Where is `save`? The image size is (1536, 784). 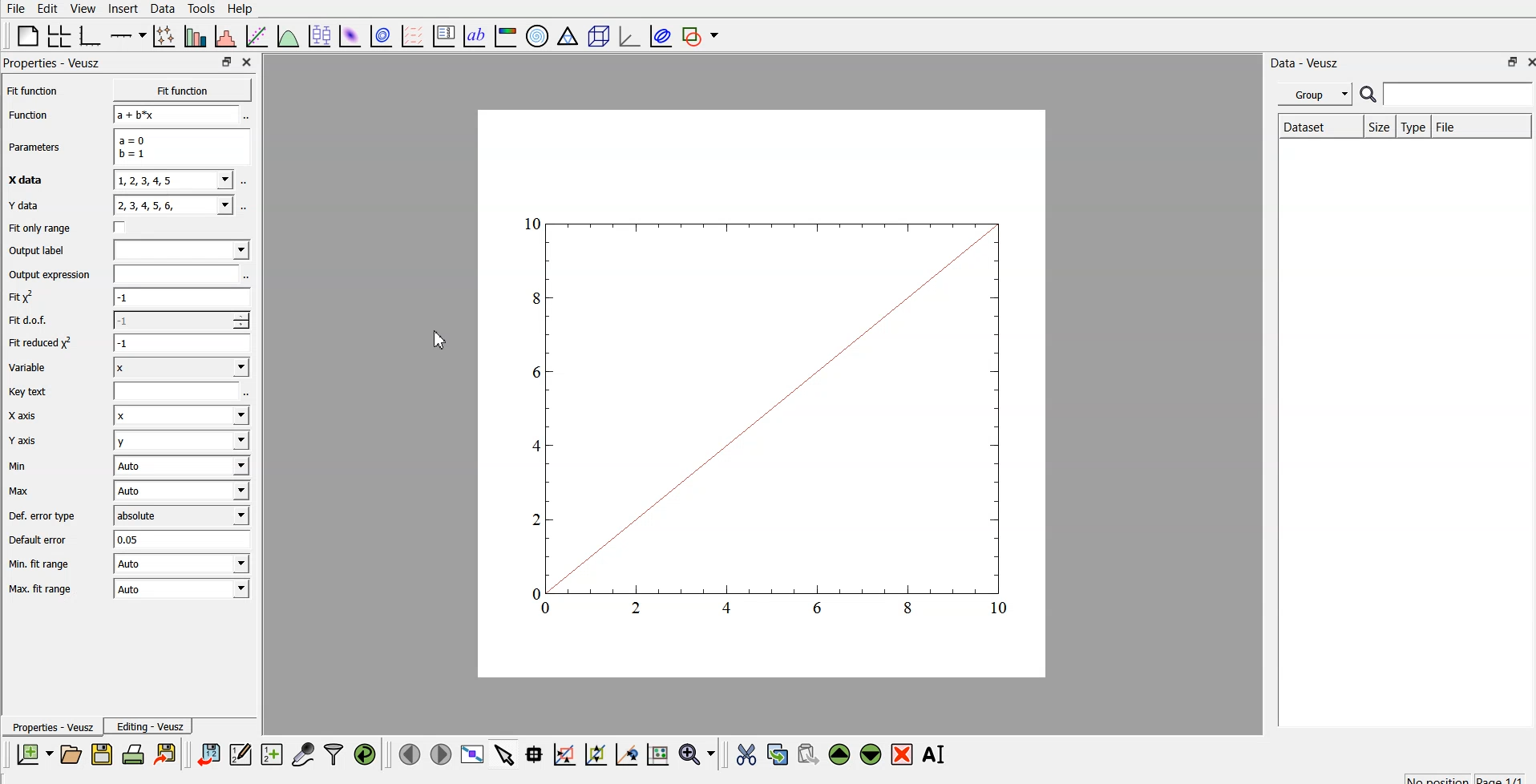 save is located at coordinates (102, 756).